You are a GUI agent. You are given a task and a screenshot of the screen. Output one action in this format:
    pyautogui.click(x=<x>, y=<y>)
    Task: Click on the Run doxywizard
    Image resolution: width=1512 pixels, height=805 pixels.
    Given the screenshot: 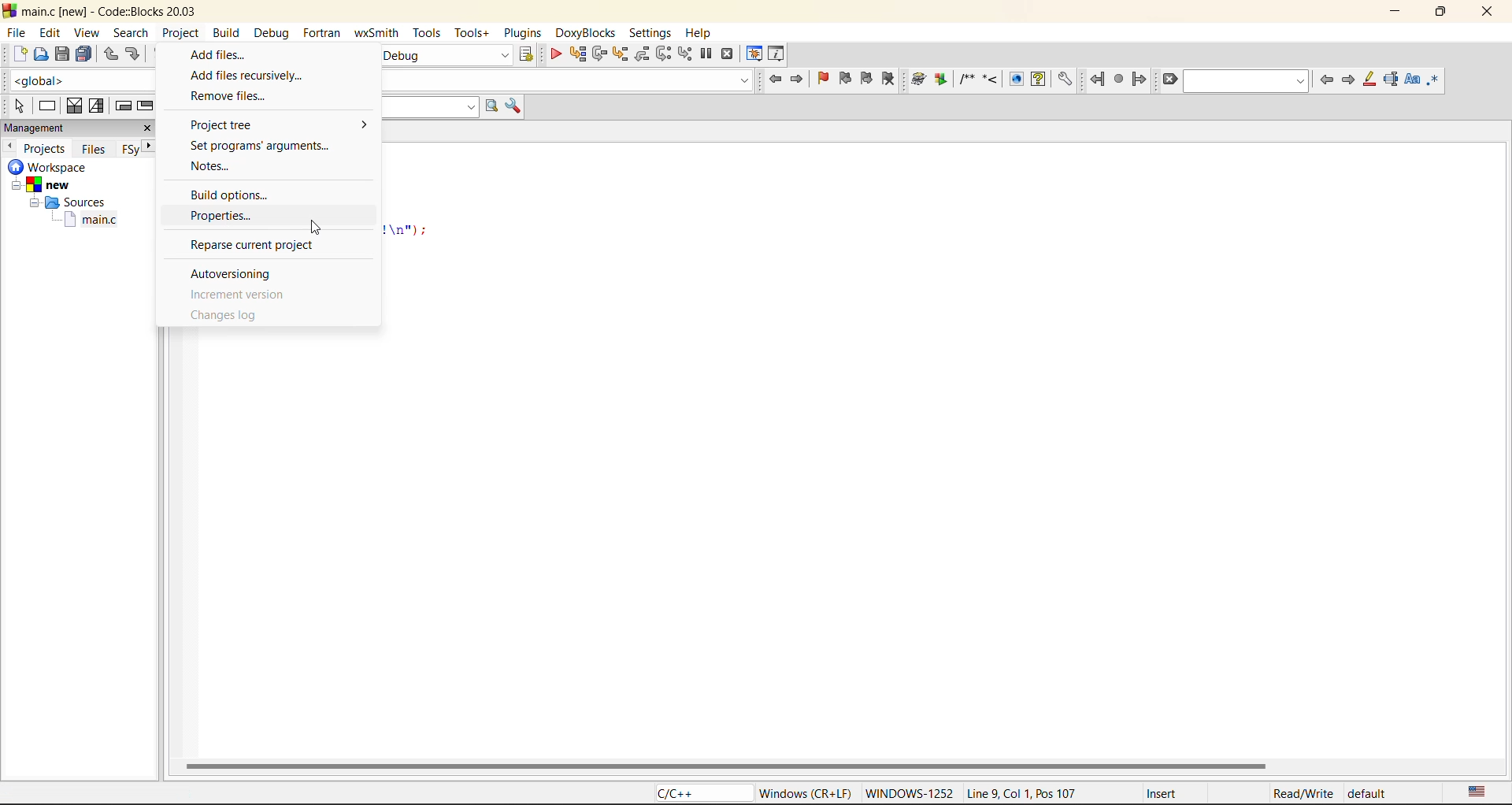 What is the action you would take?
    pyautogui.click(x=918, y=80)
    